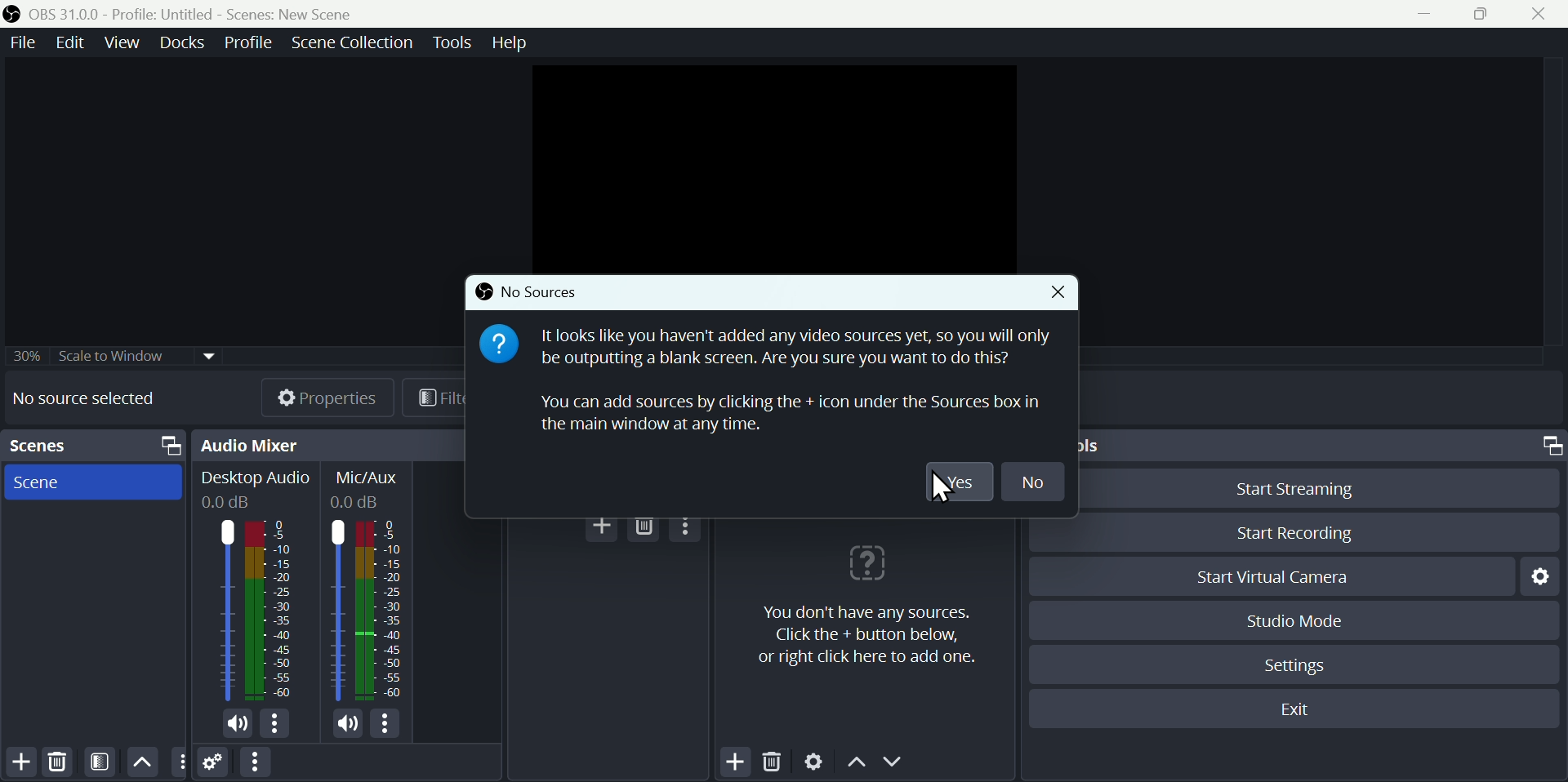 The width and height of the screenshot is (1568, 782). I want to click on more options, so click(254, 763).